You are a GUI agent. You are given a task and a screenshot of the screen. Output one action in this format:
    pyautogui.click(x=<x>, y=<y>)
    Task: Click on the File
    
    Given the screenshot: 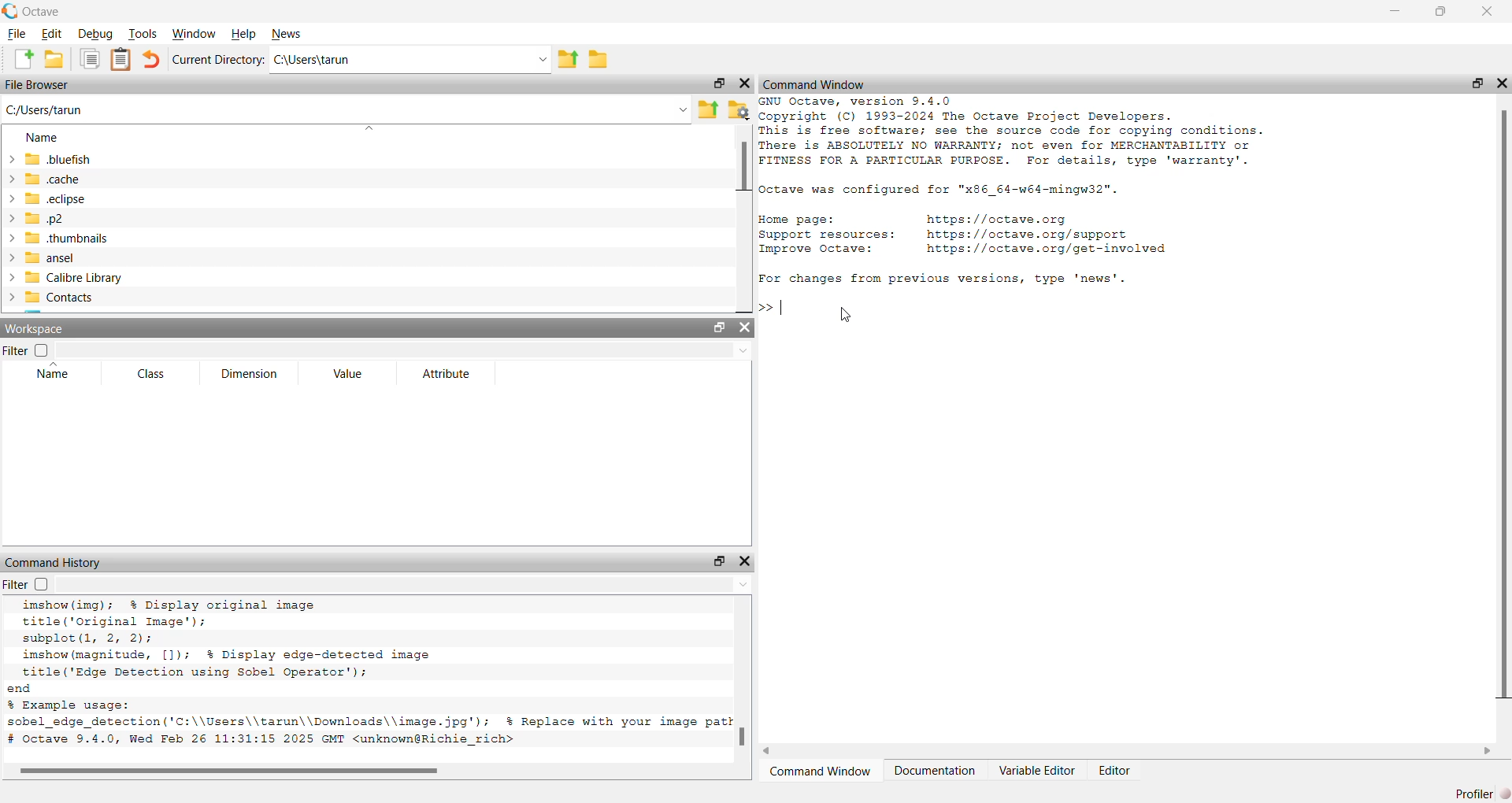 What is the action you would take?
    pyautogui.click(x=17, y=35)
    